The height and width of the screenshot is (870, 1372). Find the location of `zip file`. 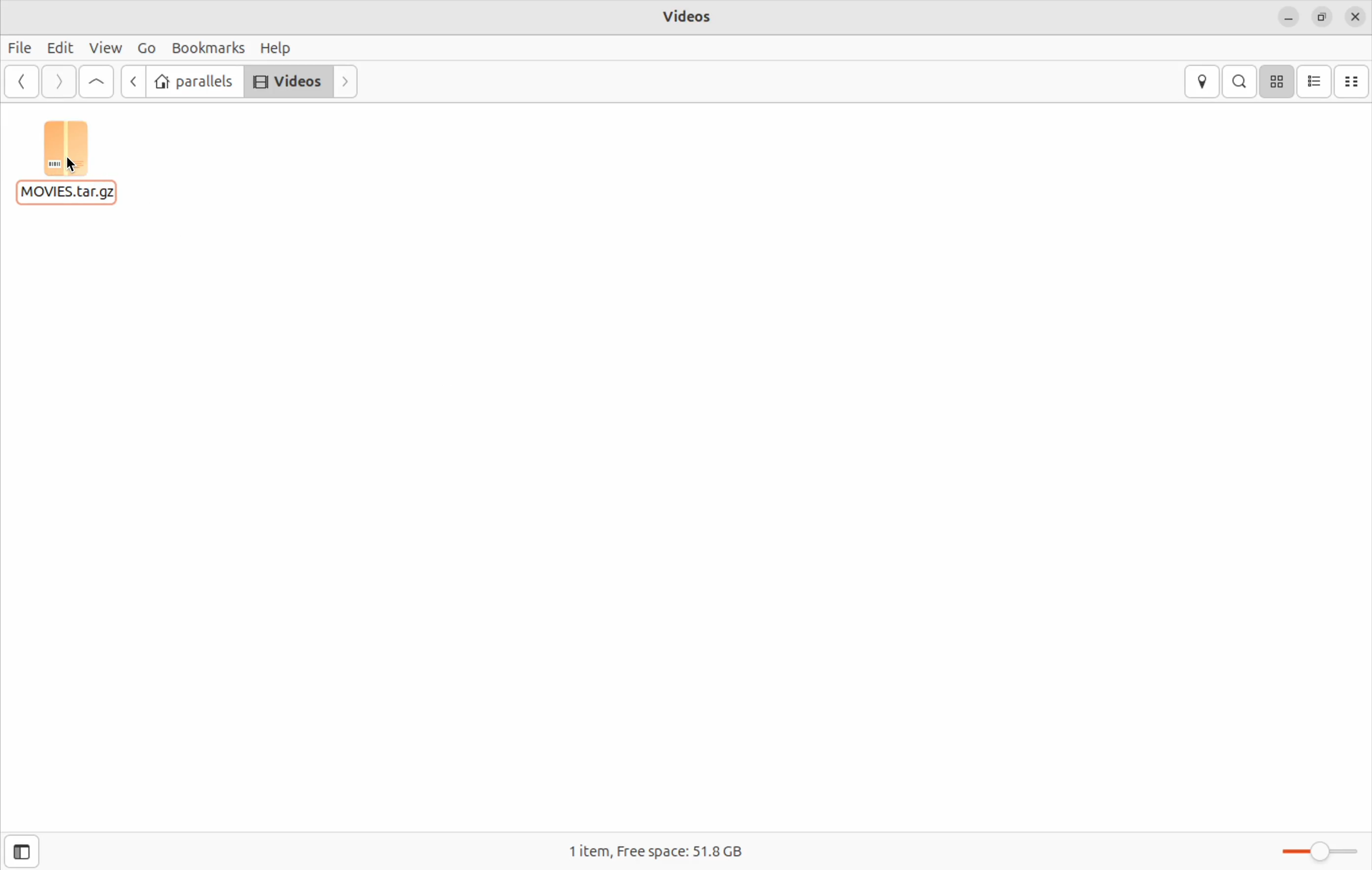

zip file is located at coordinates (72, 164).